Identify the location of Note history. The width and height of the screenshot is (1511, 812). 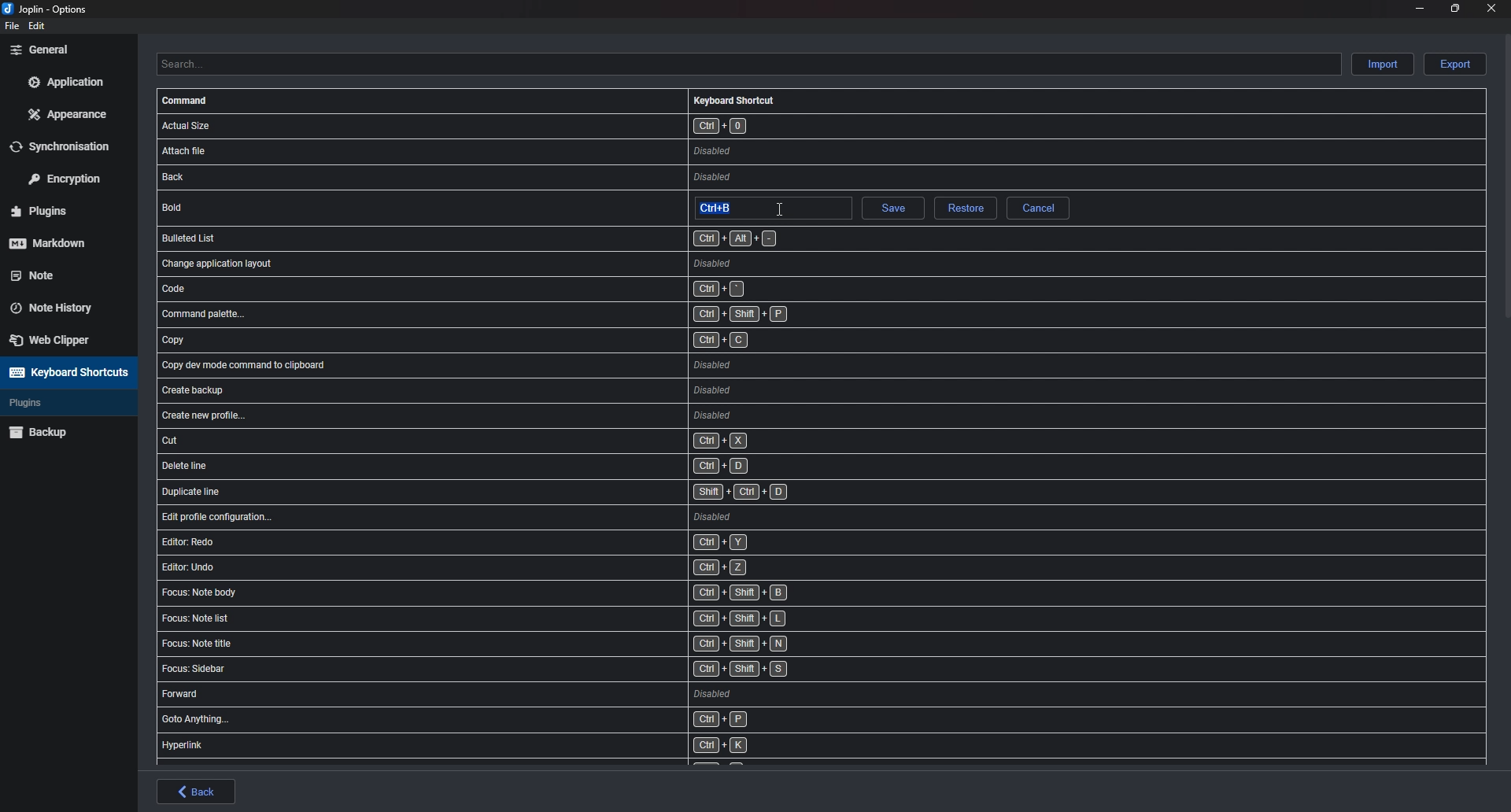
(60, 303).